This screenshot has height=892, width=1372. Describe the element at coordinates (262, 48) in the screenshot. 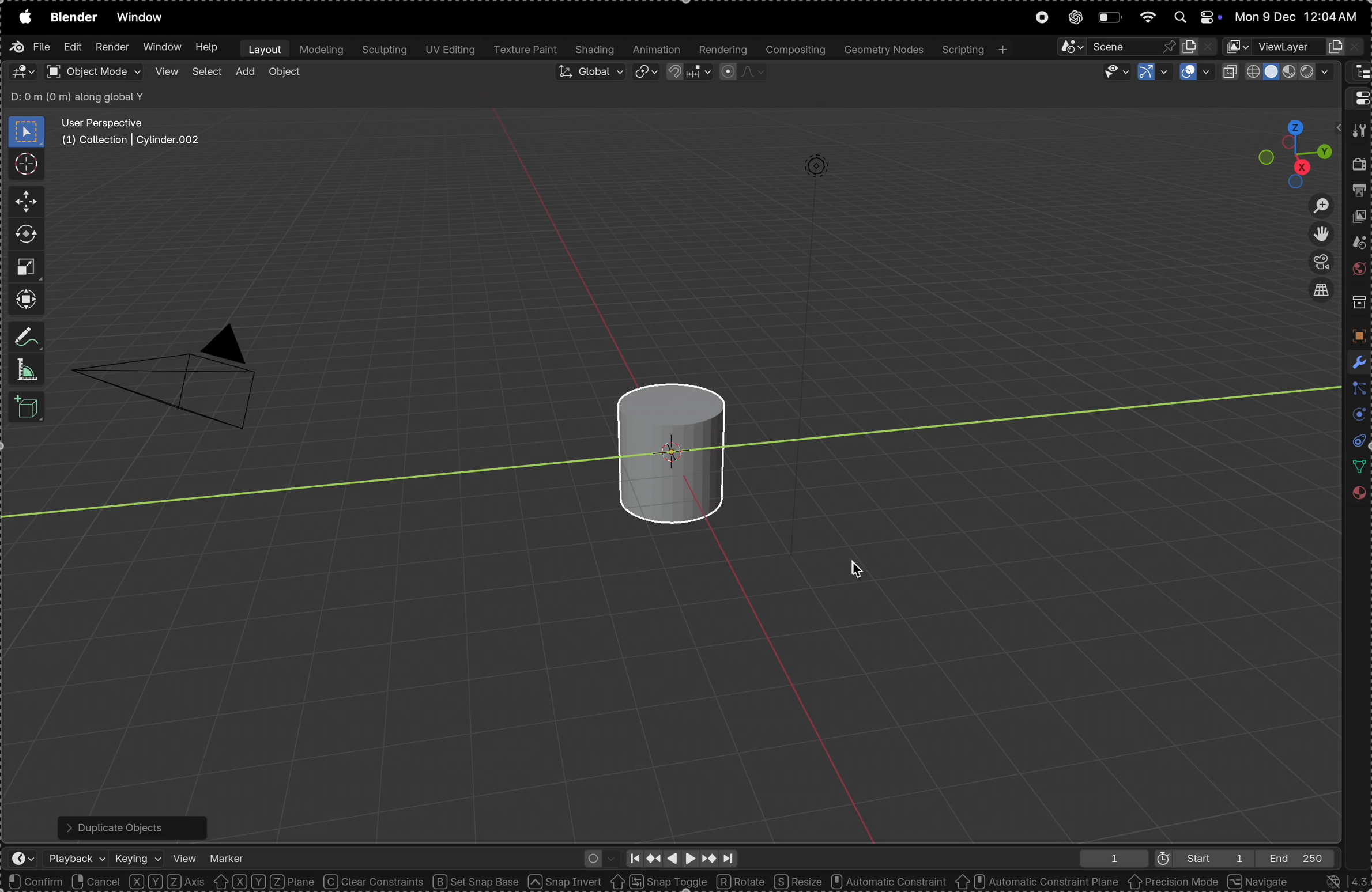

I see `layout` at that location.